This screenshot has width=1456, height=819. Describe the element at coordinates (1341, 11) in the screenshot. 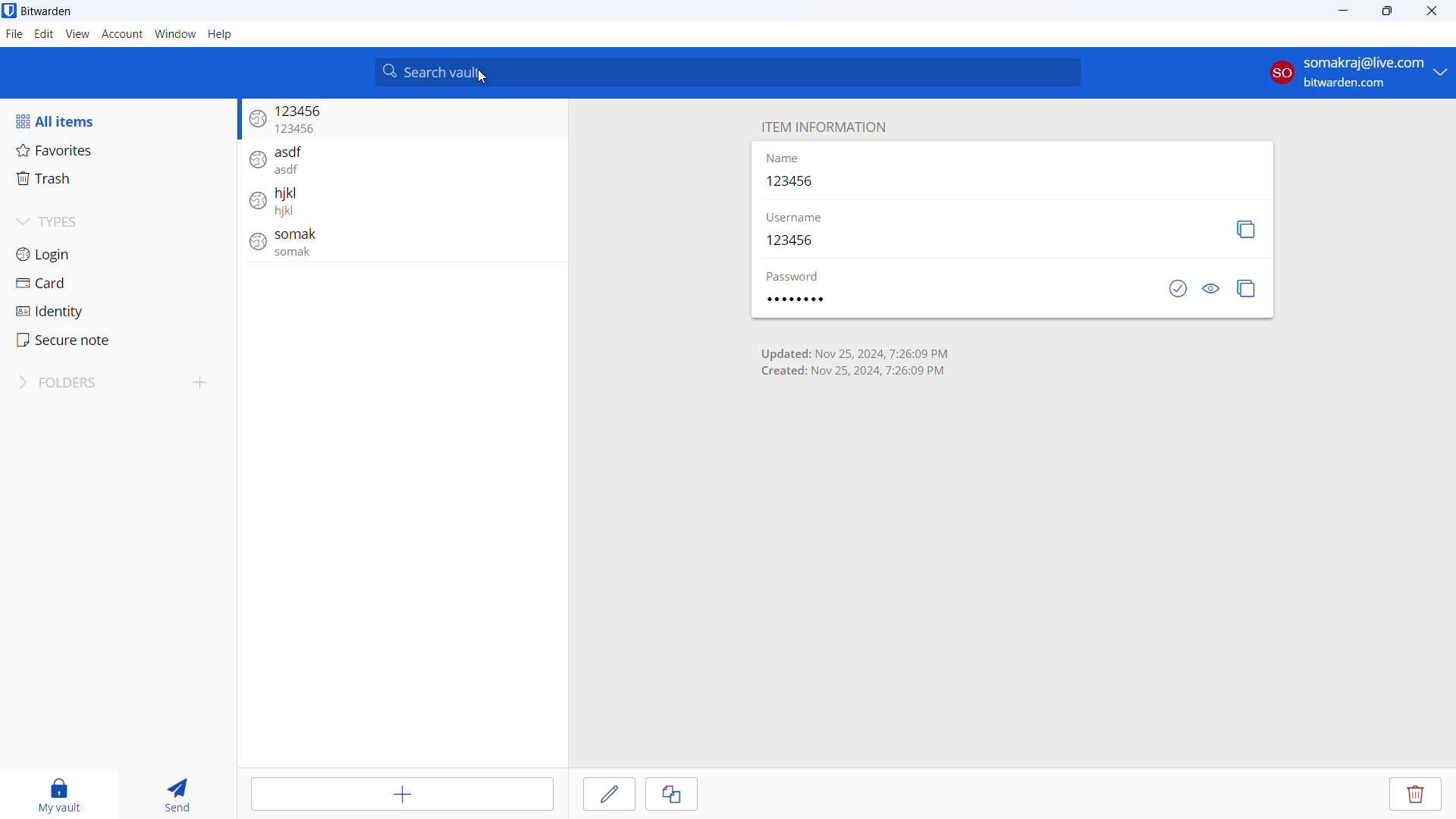

I see `minimize` at that location.